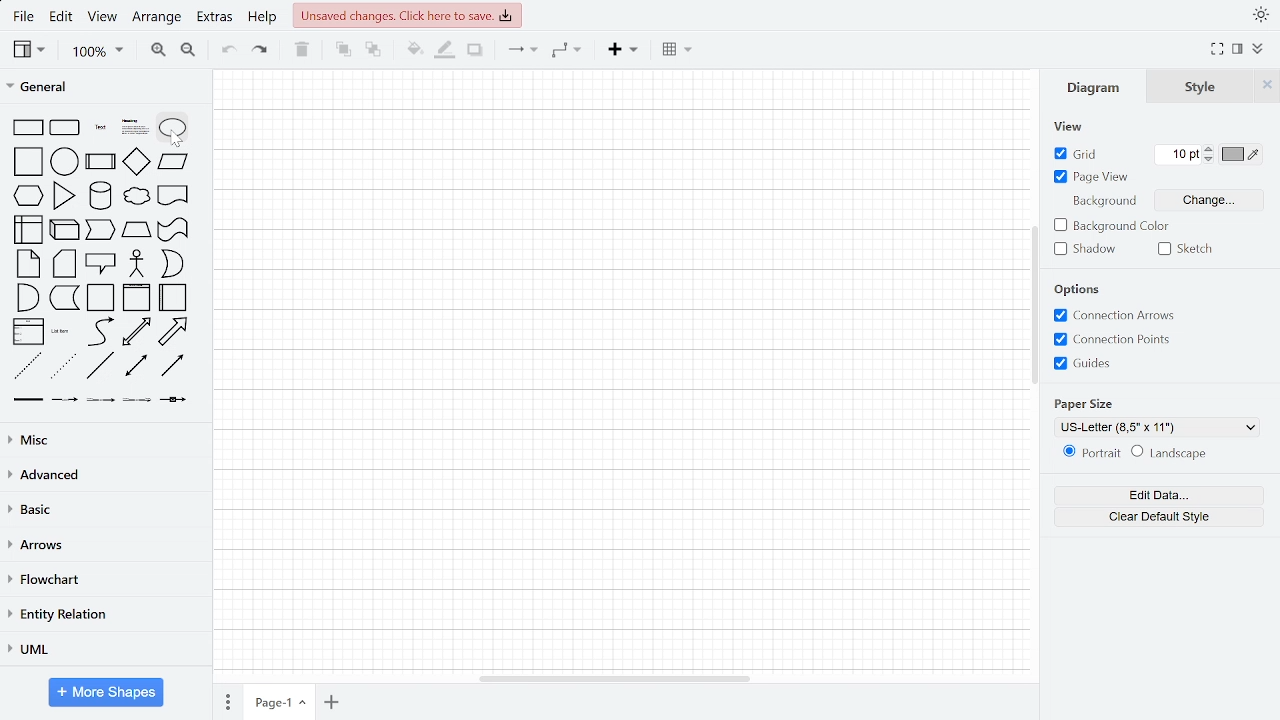 Image resolution: width=1280 pixels, height=720 pixels. What do you see at coordinates (175, 333) in the screenshot?
I see `arrow` at bounding box center [175, 333].